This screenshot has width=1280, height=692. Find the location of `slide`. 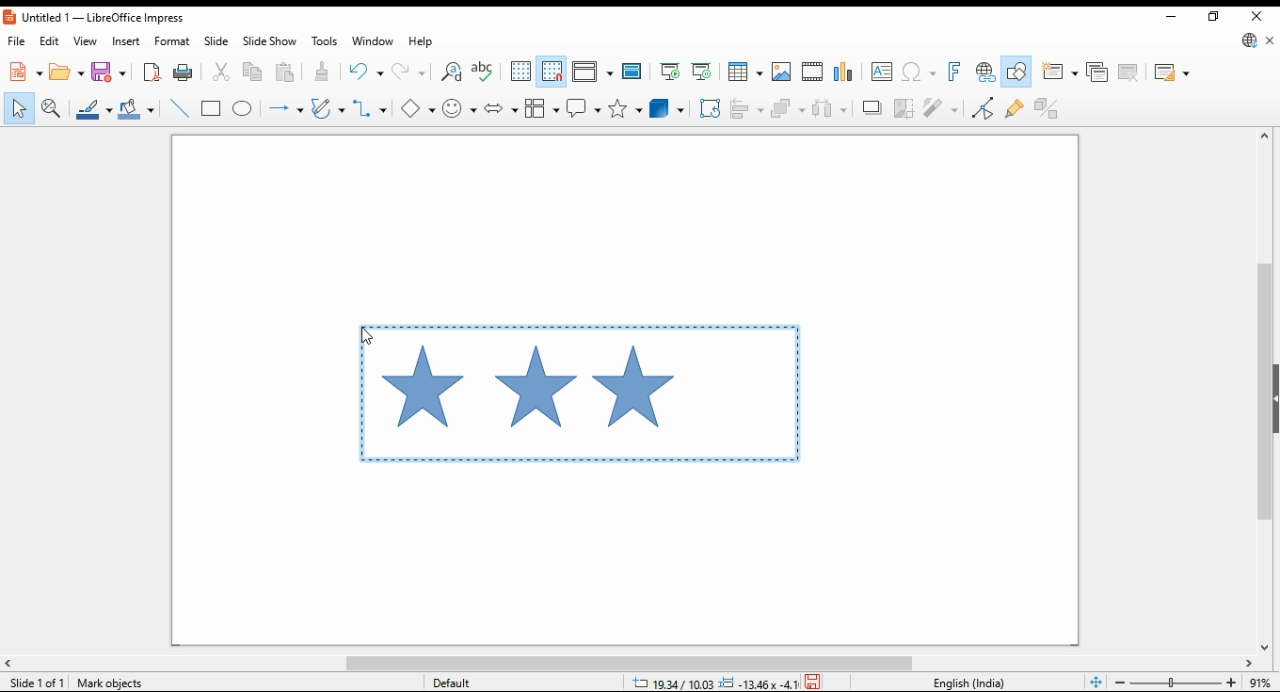

slide is located at coordinates (215, 41).